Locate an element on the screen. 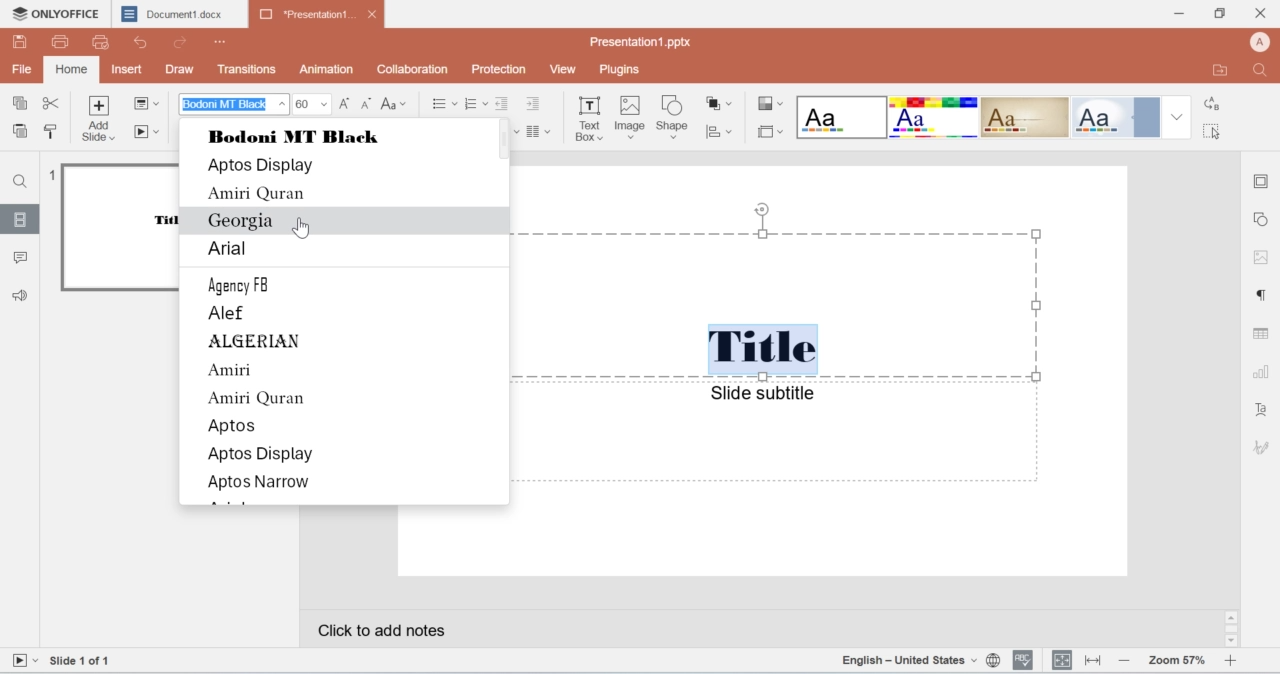 This screenshot has height=674, width=1280. Aptos is located at coordinates (235, 426).